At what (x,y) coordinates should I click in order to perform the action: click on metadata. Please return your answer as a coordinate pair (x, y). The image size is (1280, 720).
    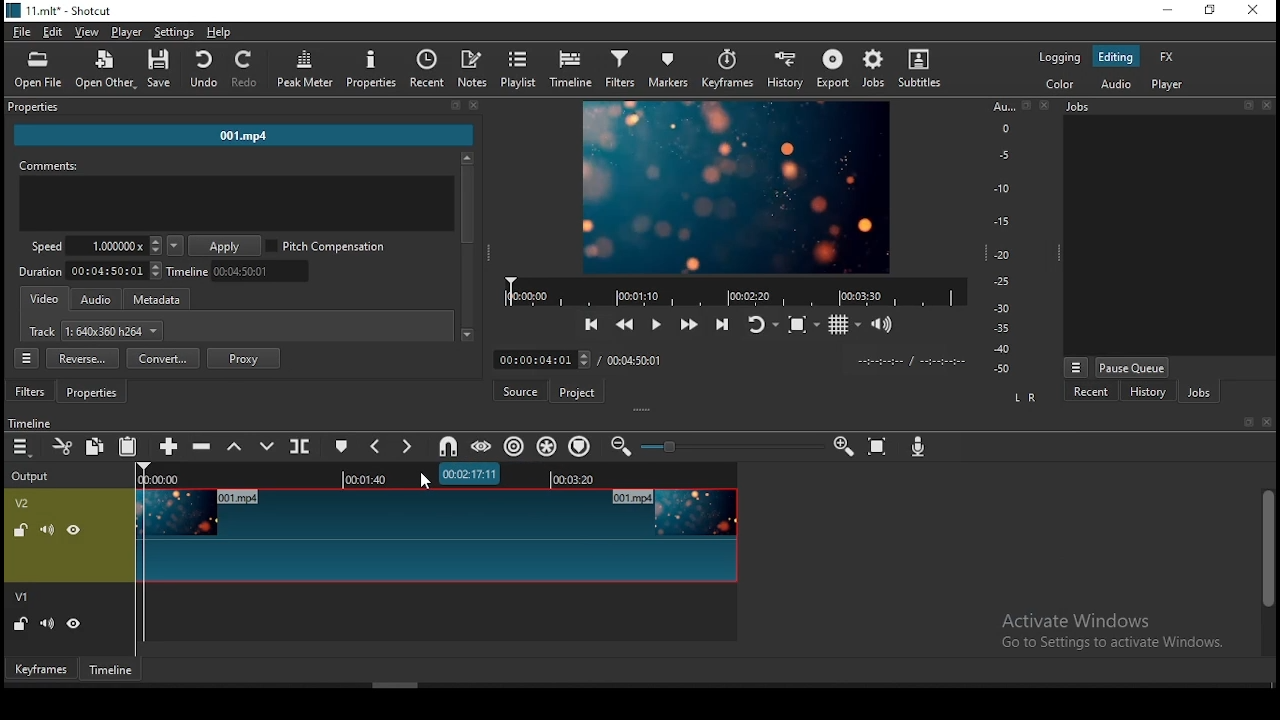
    Looking at the image, I should click on (163, 300).